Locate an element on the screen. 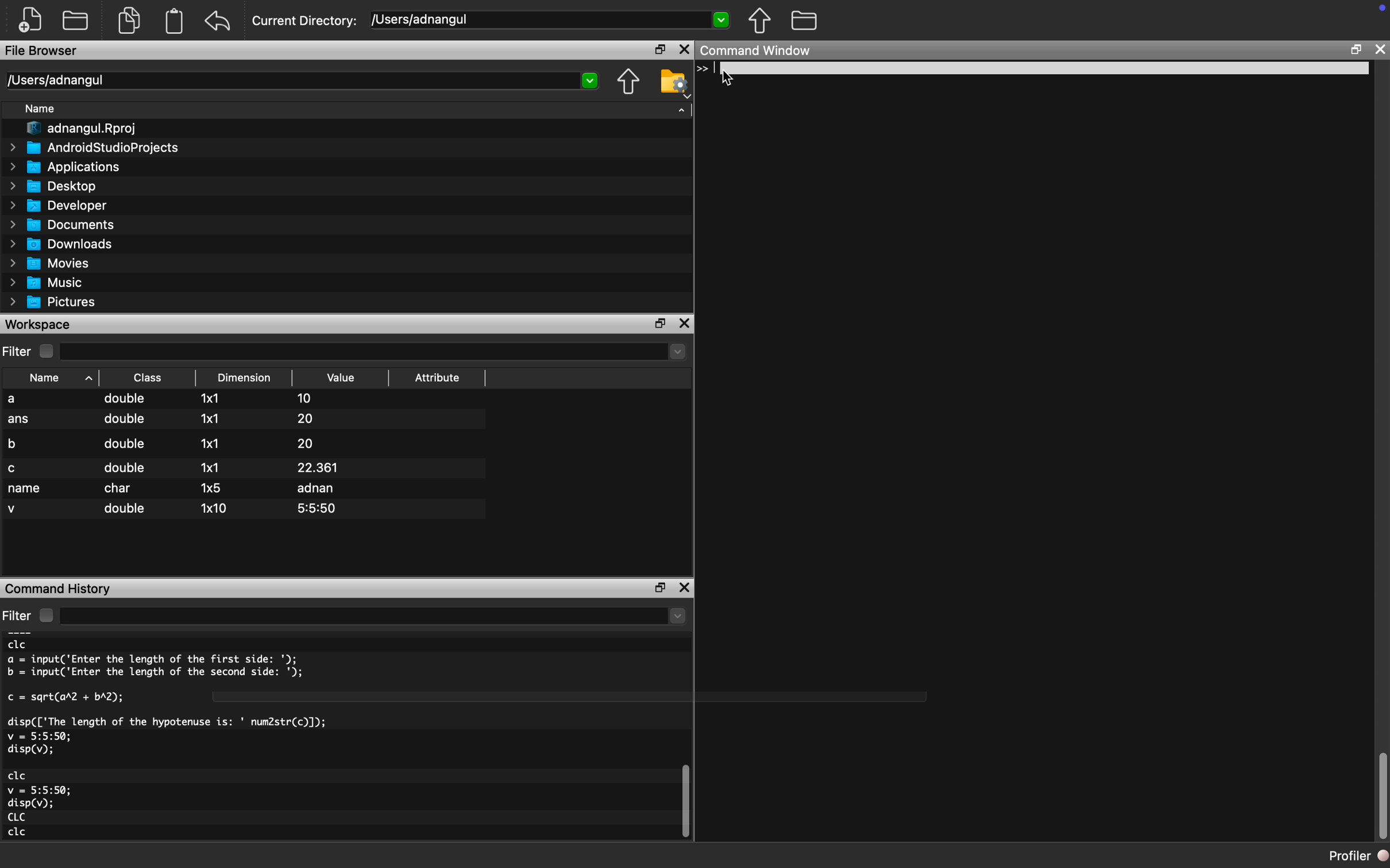 This screenshot has height=868, width=1390. /Users/adnangul is located at coordinates (532, 19).